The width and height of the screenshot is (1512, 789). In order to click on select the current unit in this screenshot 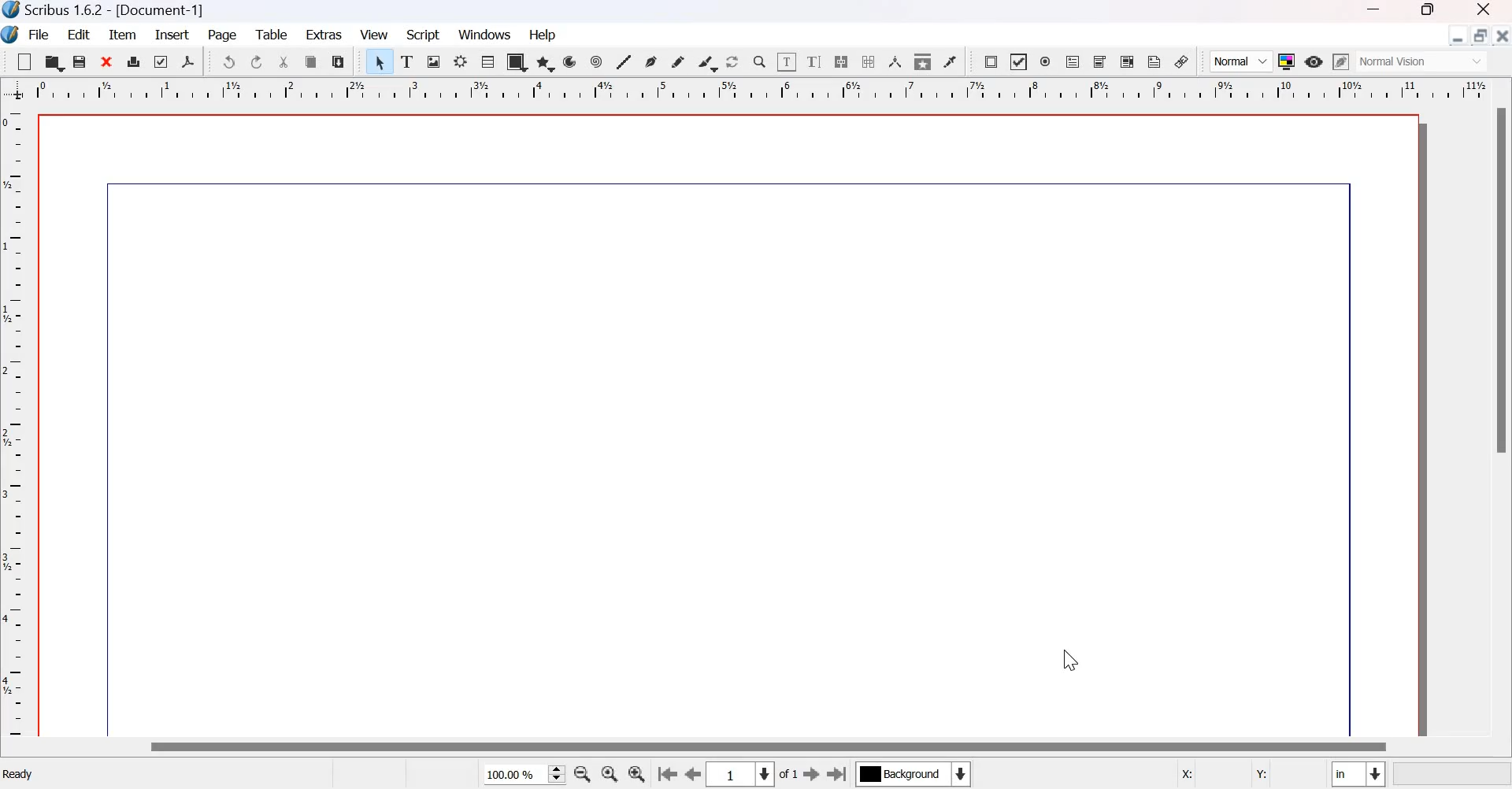, I will do `click(1359, 774)`.